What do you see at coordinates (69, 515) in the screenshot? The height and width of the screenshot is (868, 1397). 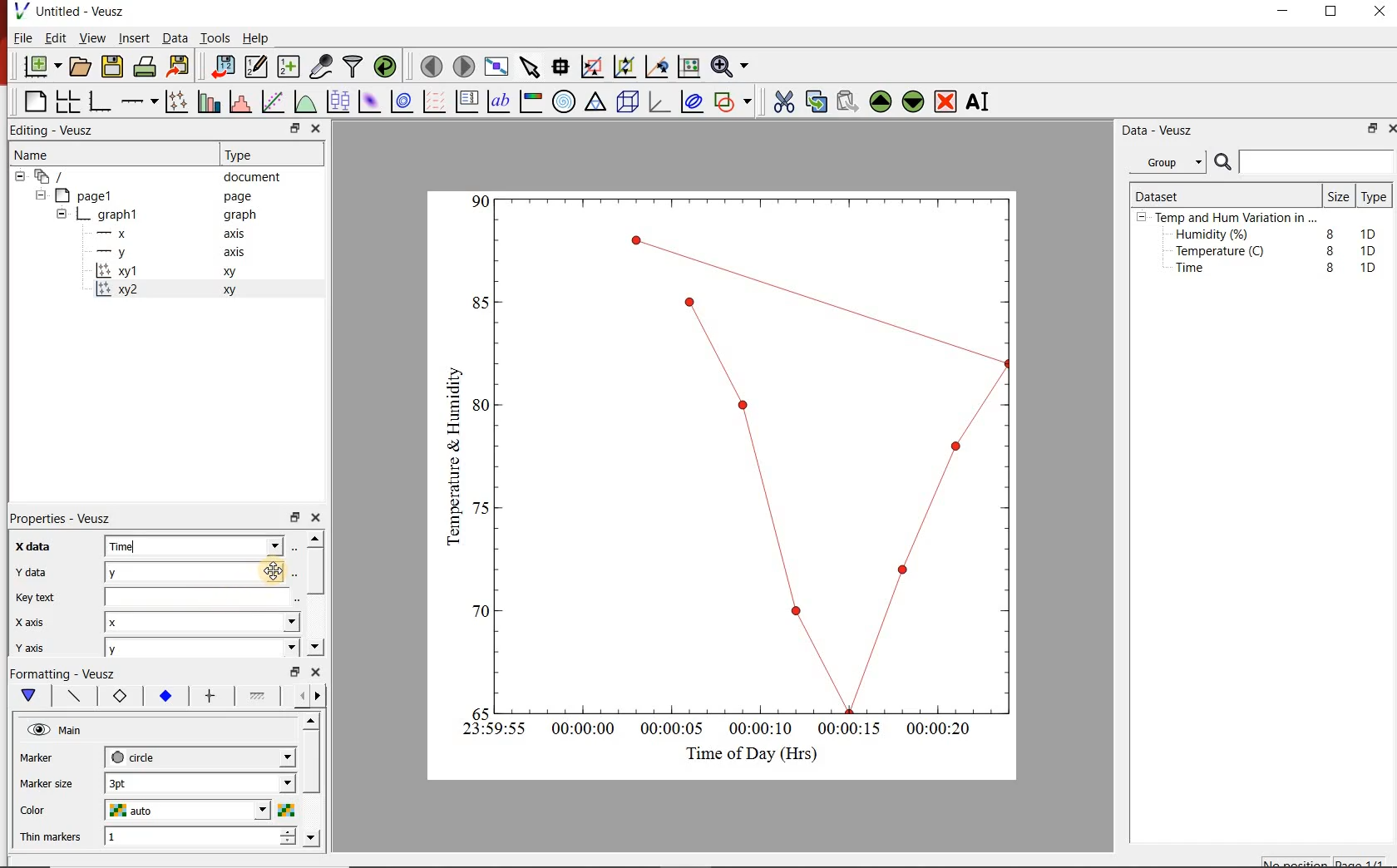 I see `Properties - Veusz` at bounding box center [69, 515].